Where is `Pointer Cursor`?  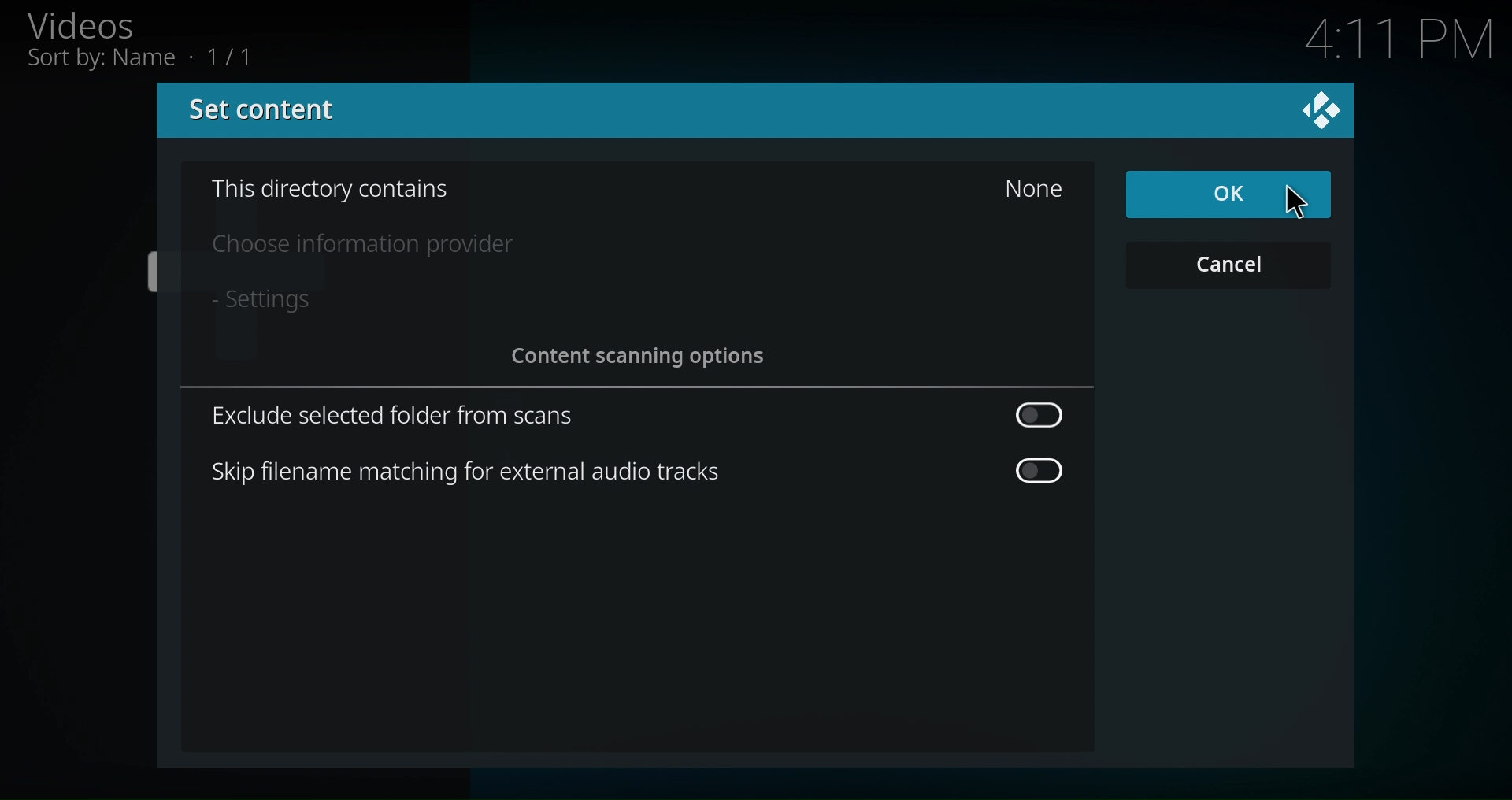 Pointer Cursor is located at coordinates (1301, 199).